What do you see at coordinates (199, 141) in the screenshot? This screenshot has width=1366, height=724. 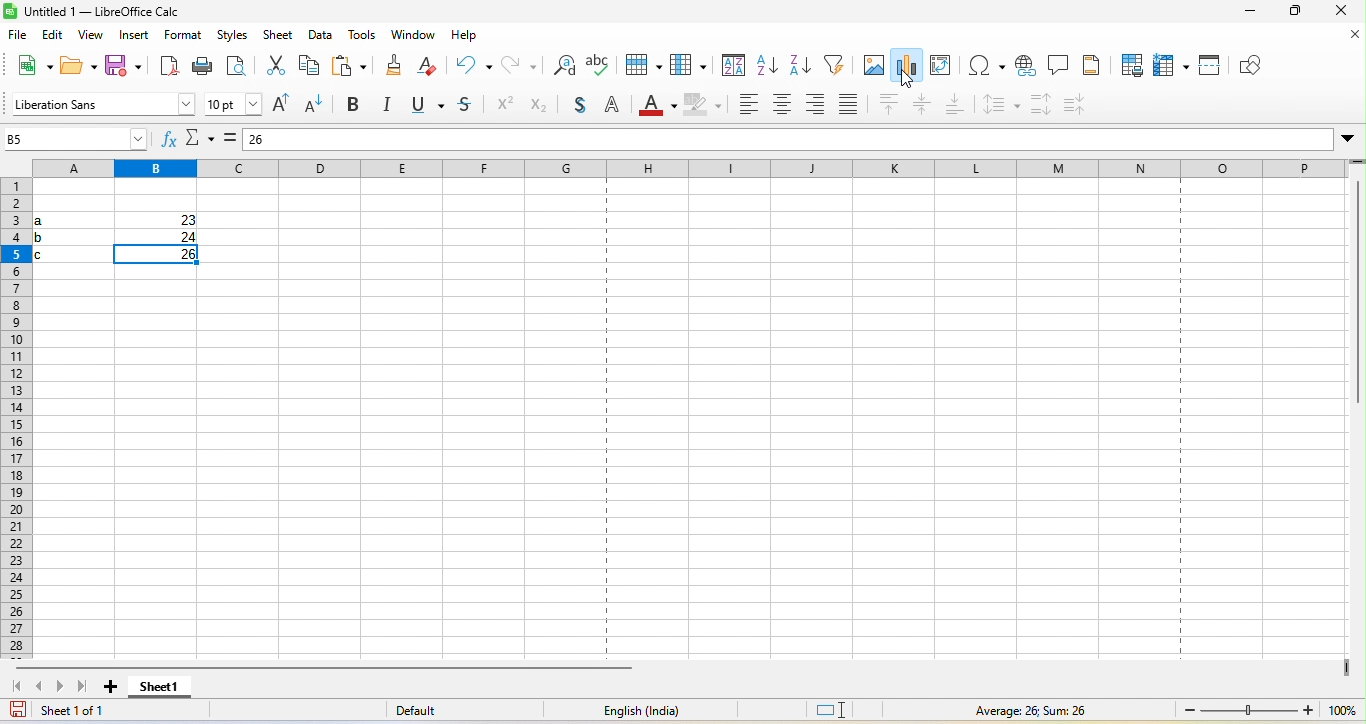 I see `select function` at bounding box center [199, 141].